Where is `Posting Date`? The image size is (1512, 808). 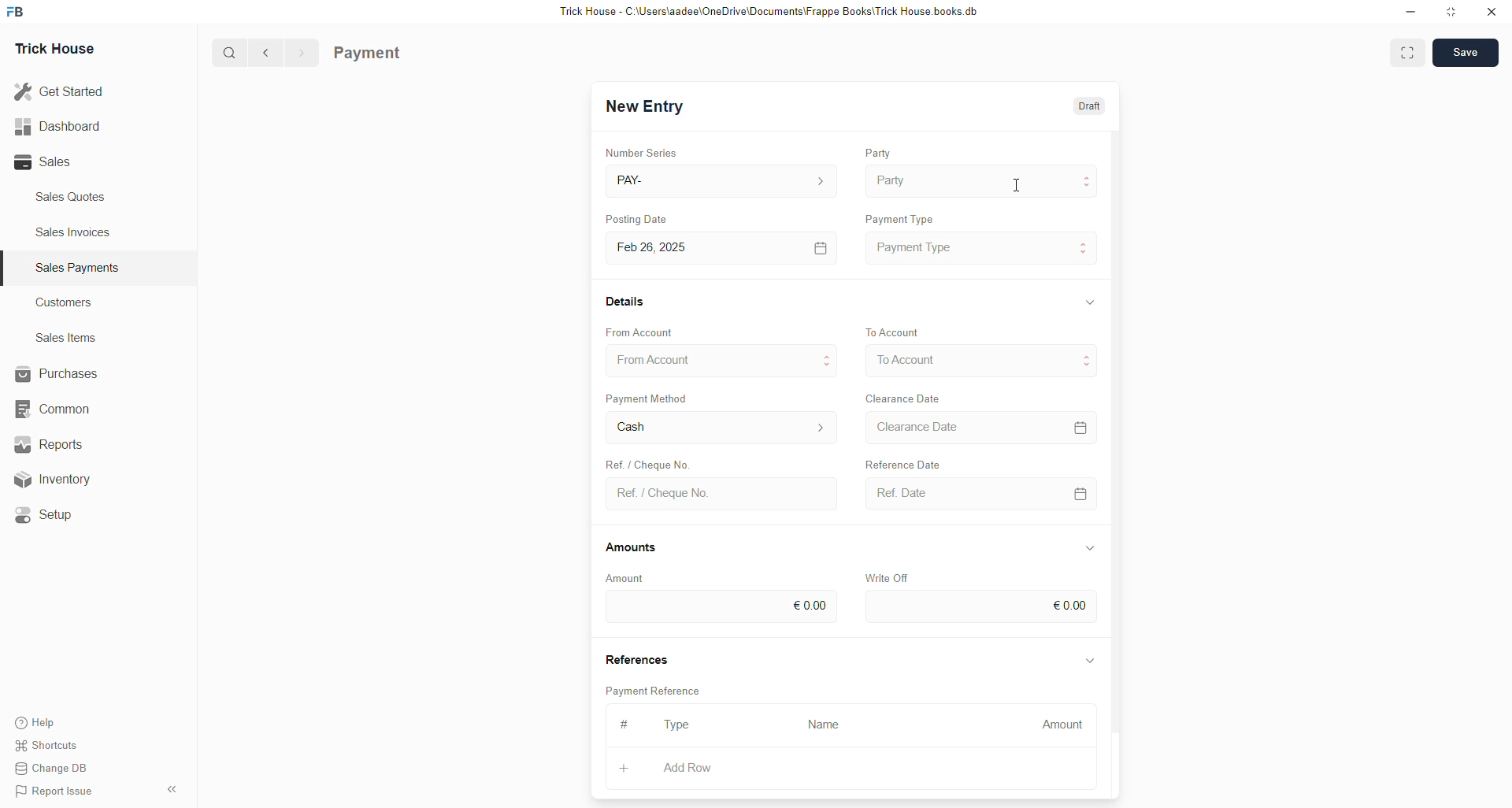 Posting Date is located at coordinates (636, 218).